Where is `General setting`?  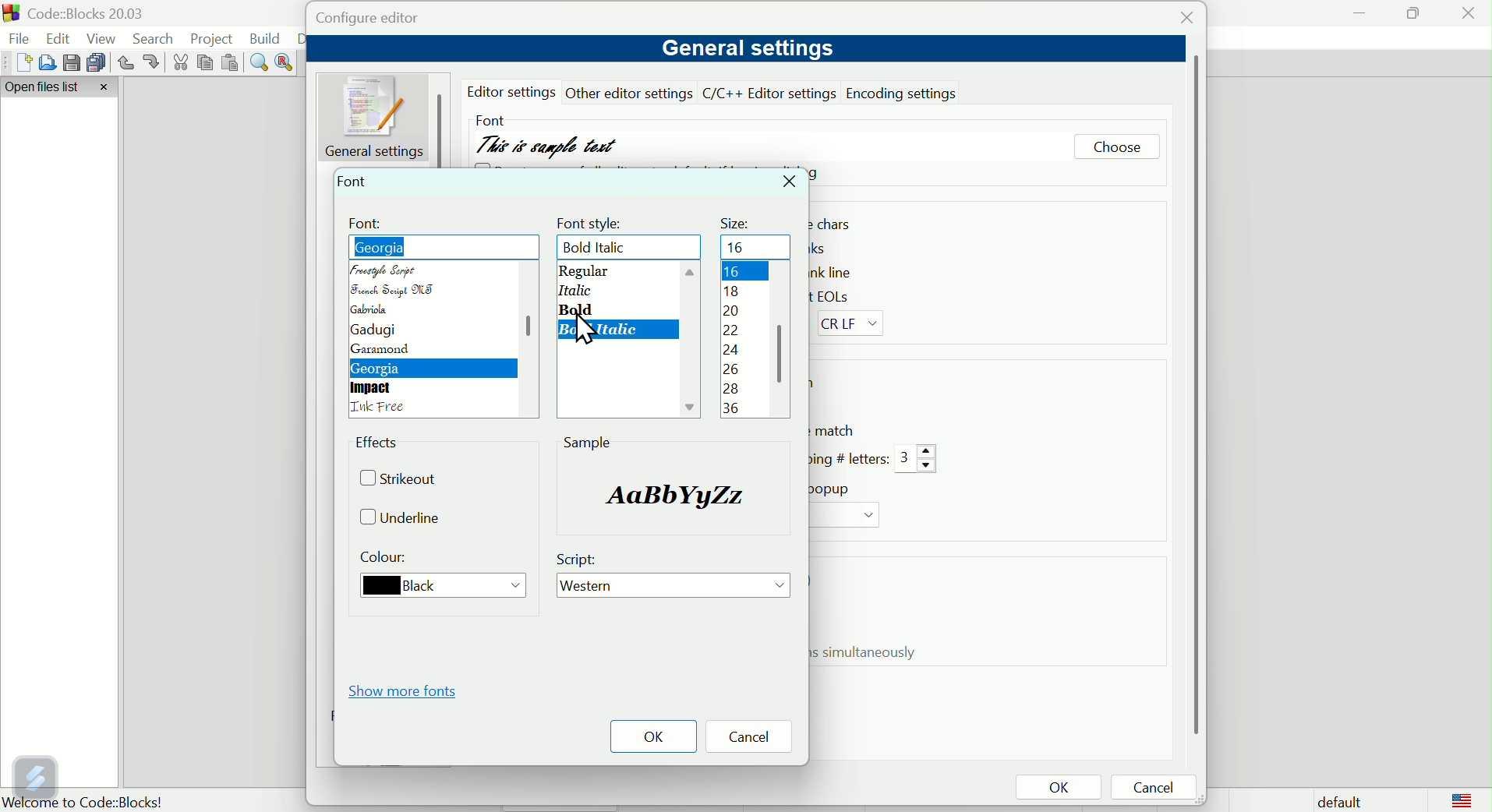
General setting is located at coordinates (377, 116).